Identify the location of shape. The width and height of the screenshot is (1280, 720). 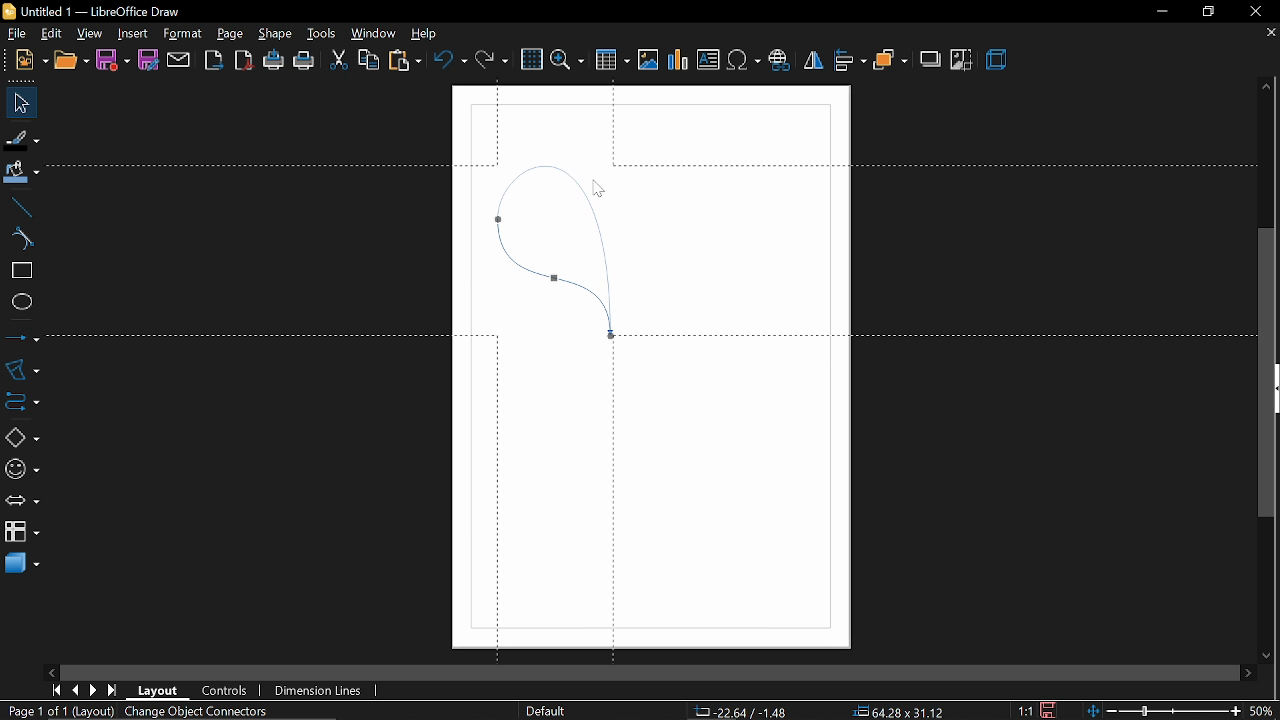
(272, 33).